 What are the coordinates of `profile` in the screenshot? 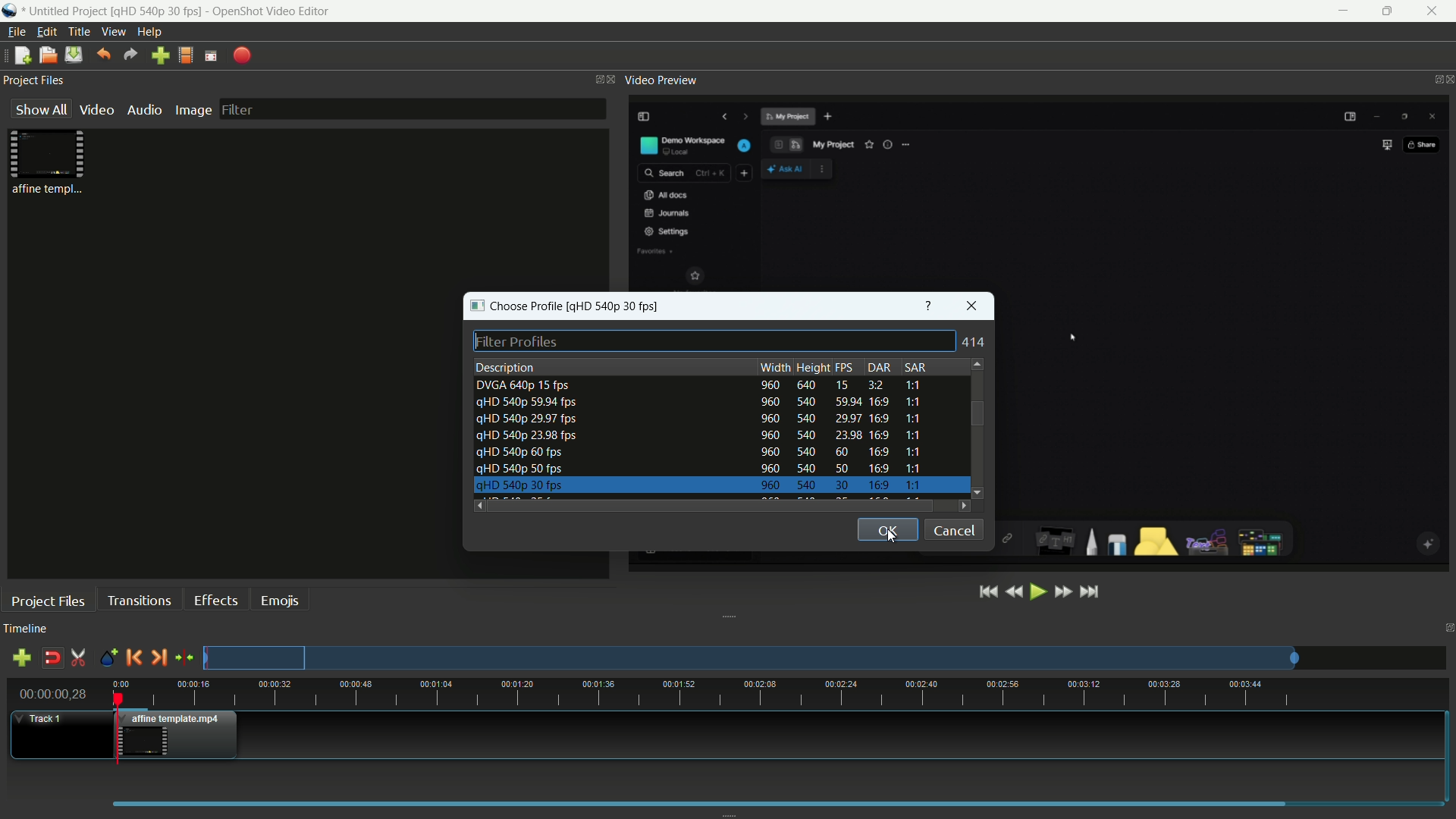 It's located at (158, 10).